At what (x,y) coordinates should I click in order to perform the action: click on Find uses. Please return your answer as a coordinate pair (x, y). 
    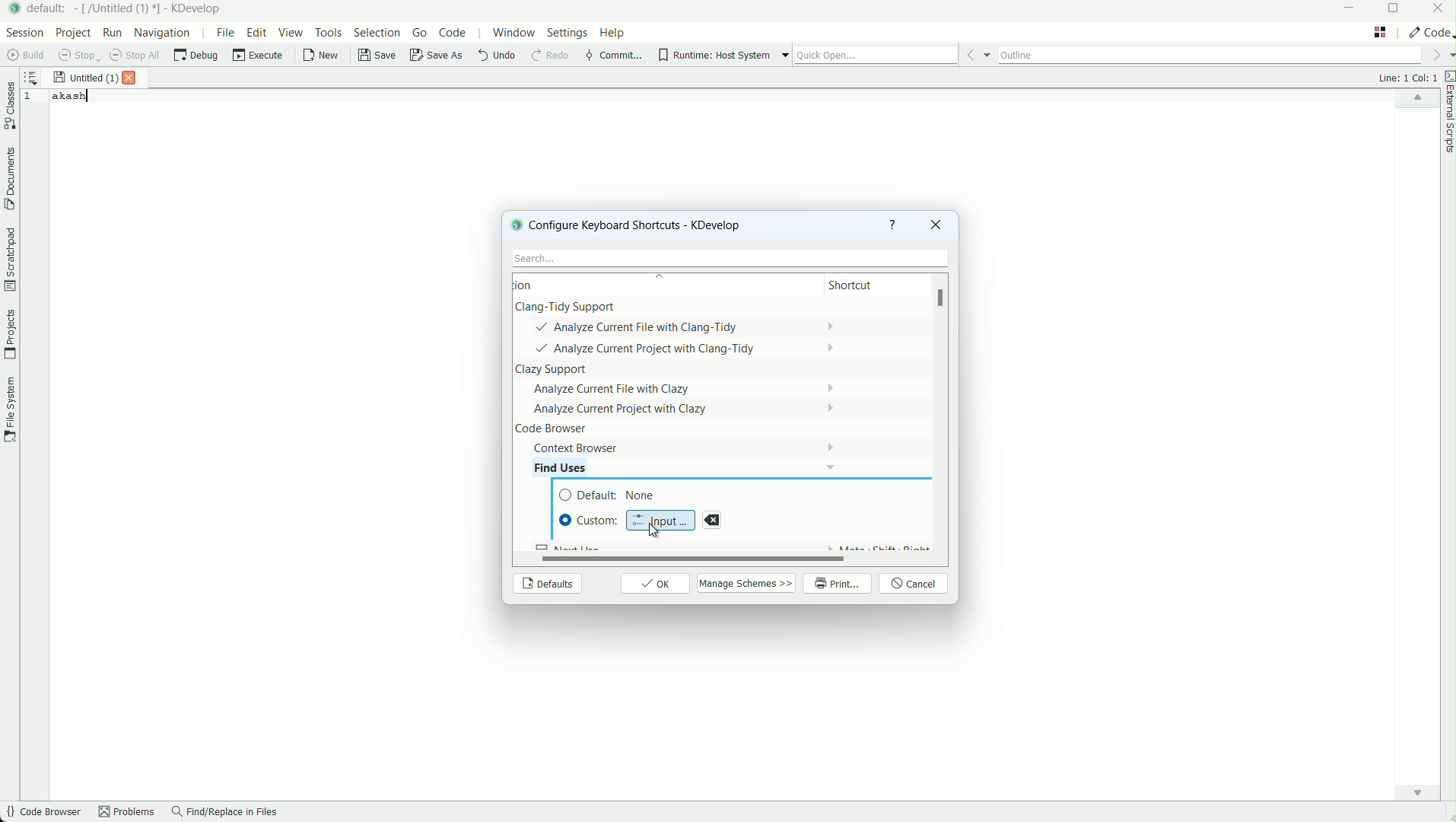
    Looking at the image, I should click on (572, 467).